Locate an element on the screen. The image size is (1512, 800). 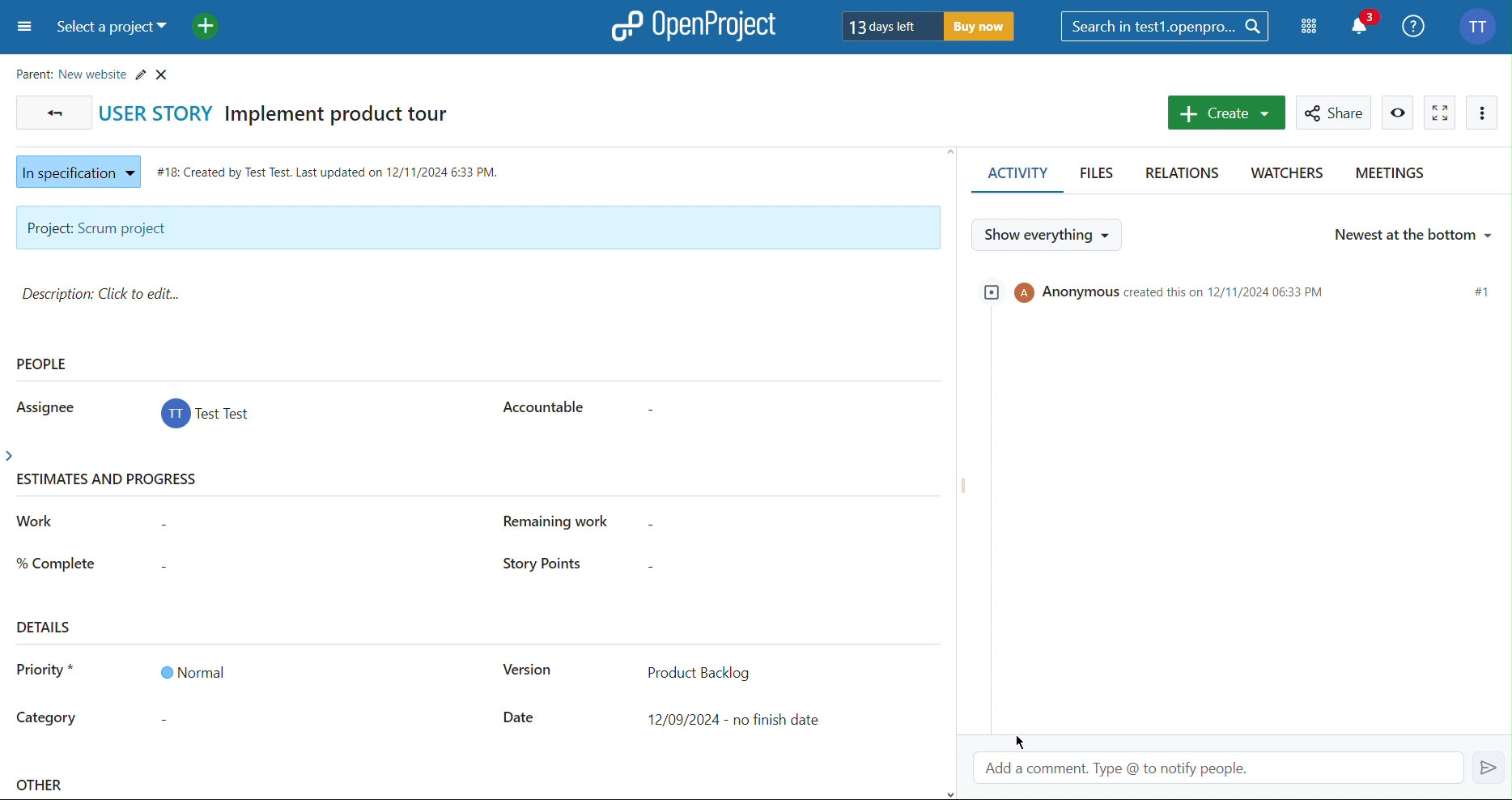
Modules is located at coordinates (1310, 27).